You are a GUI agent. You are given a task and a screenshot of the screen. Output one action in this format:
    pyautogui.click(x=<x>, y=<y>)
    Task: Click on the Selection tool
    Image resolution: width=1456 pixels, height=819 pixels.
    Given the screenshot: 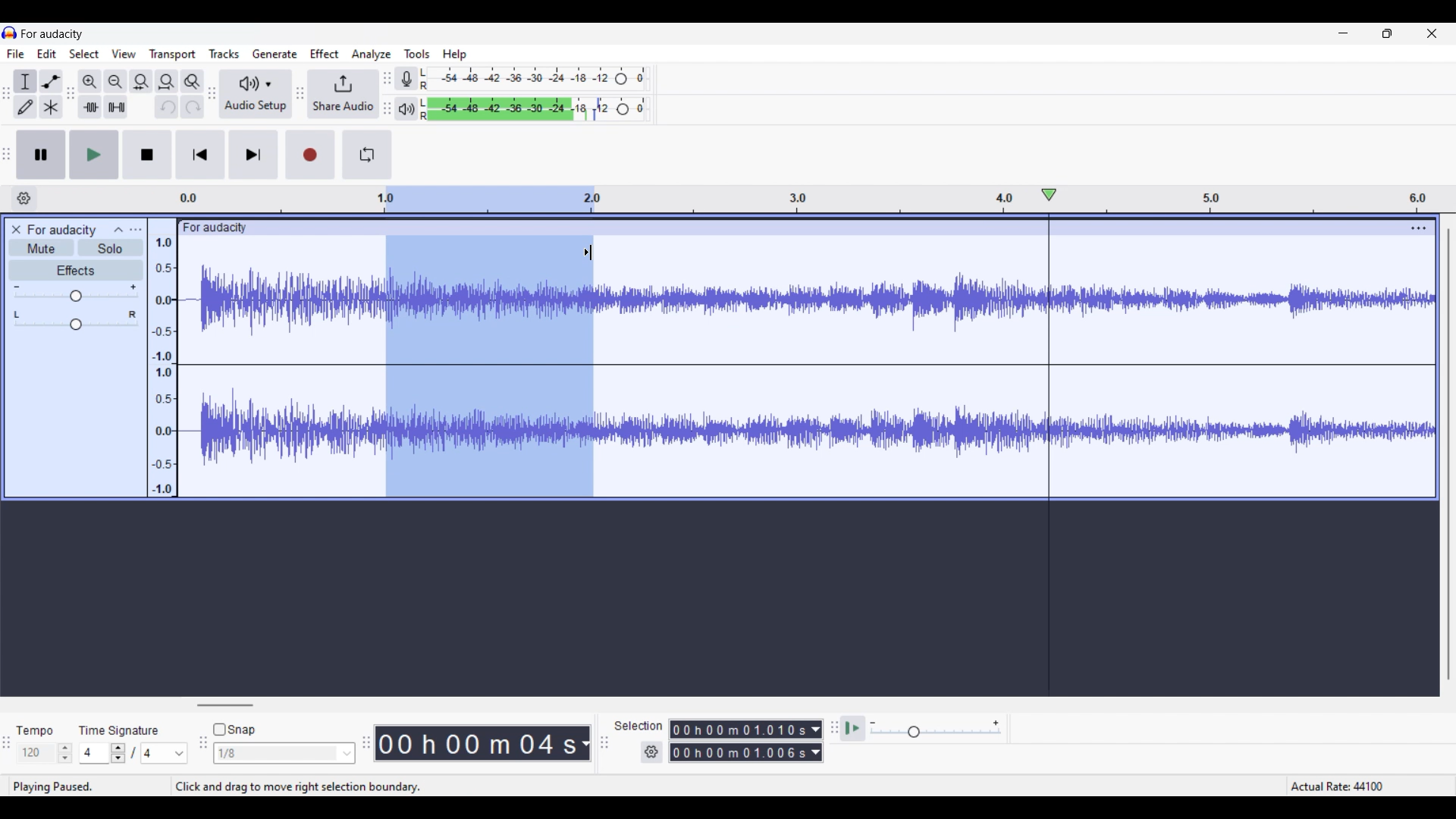 What is the action you would take?
    pyautogui.click(x=26, y=82)
    